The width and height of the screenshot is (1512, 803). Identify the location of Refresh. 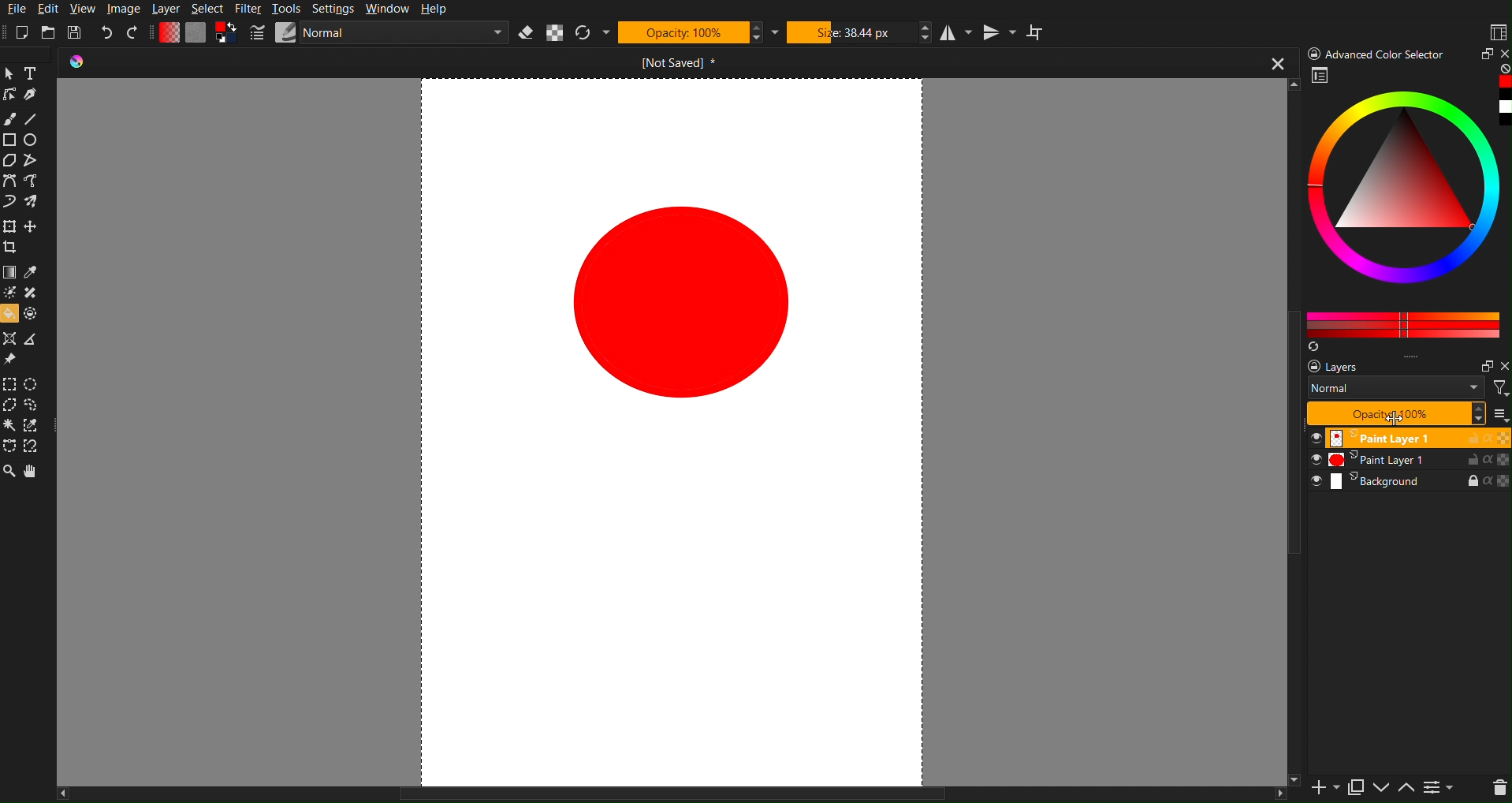
(1313, 347).